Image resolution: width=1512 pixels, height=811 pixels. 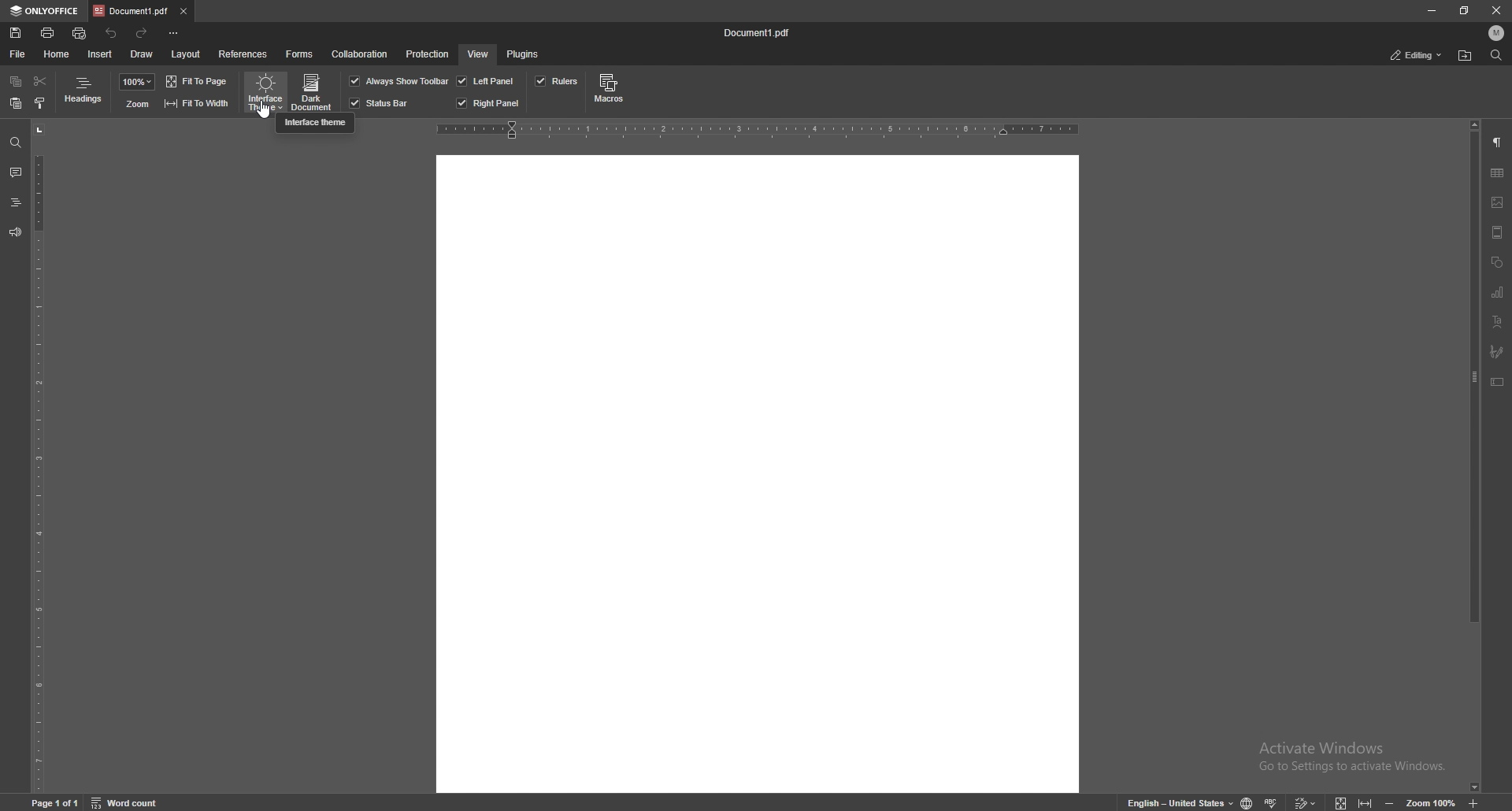 I want to click on rulers, so click(x=556, y=81).